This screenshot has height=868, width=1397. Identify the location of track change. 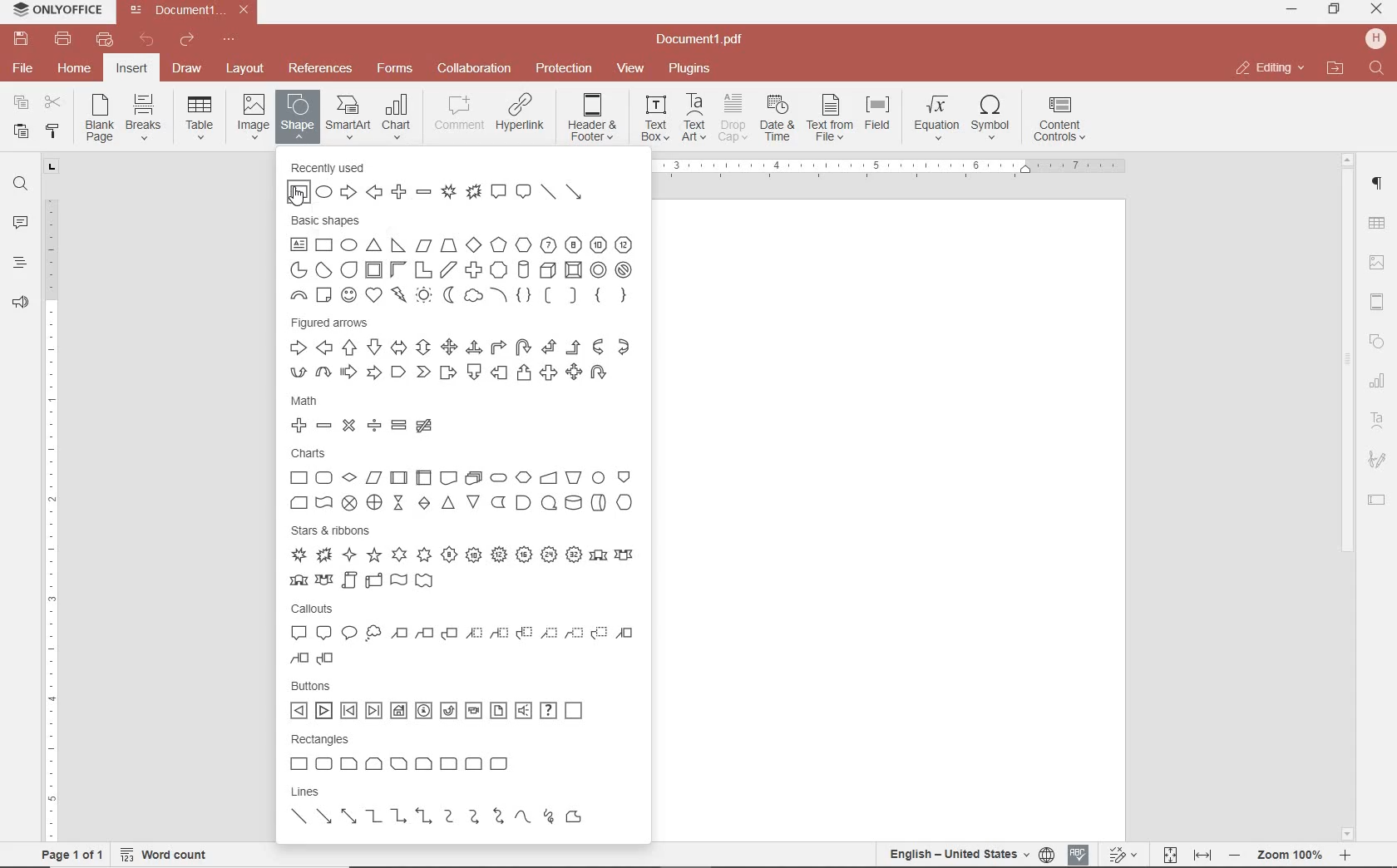
(1121, 856).